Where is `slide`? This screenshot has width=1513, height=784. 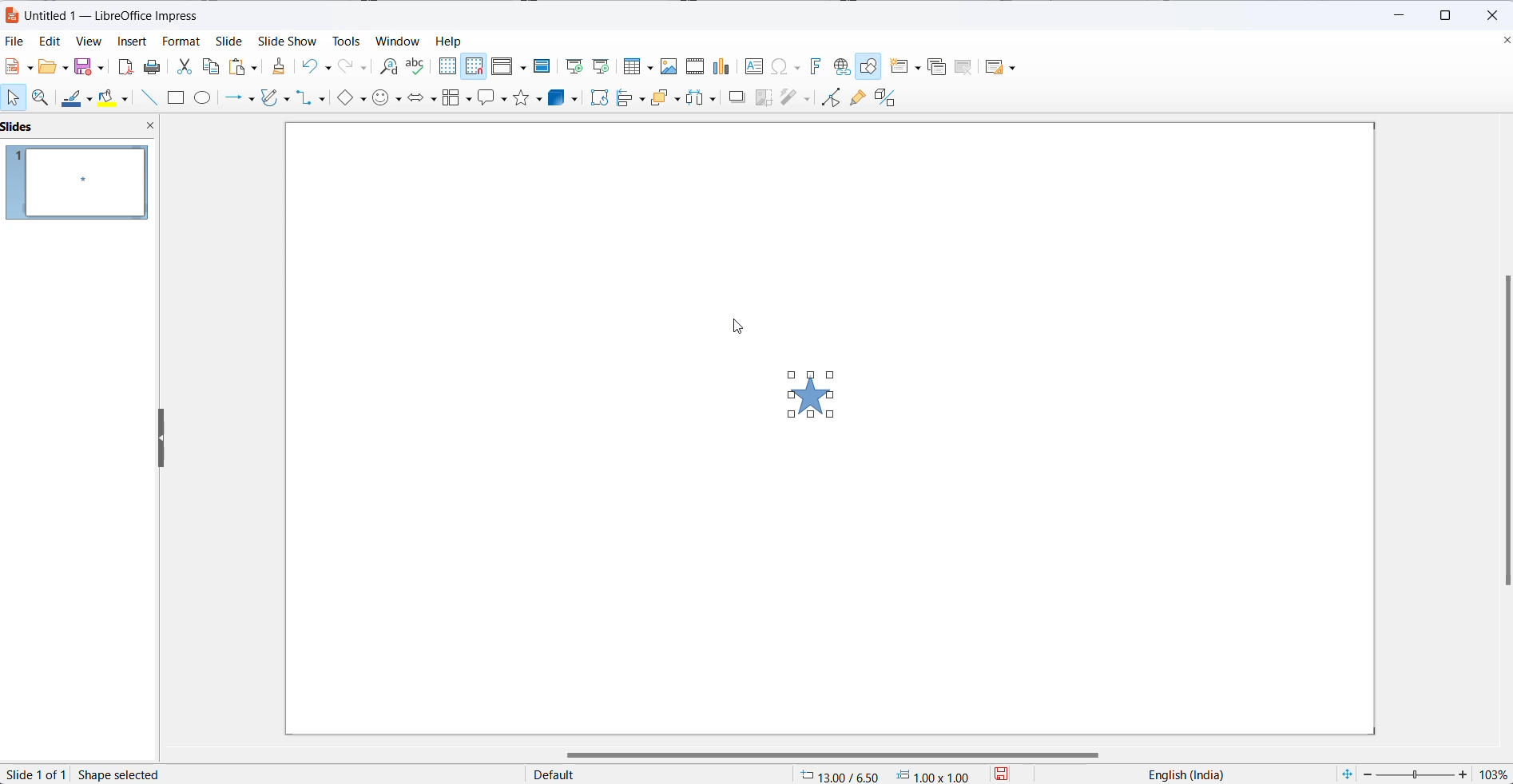
slide is located at coordinates (234, 40).